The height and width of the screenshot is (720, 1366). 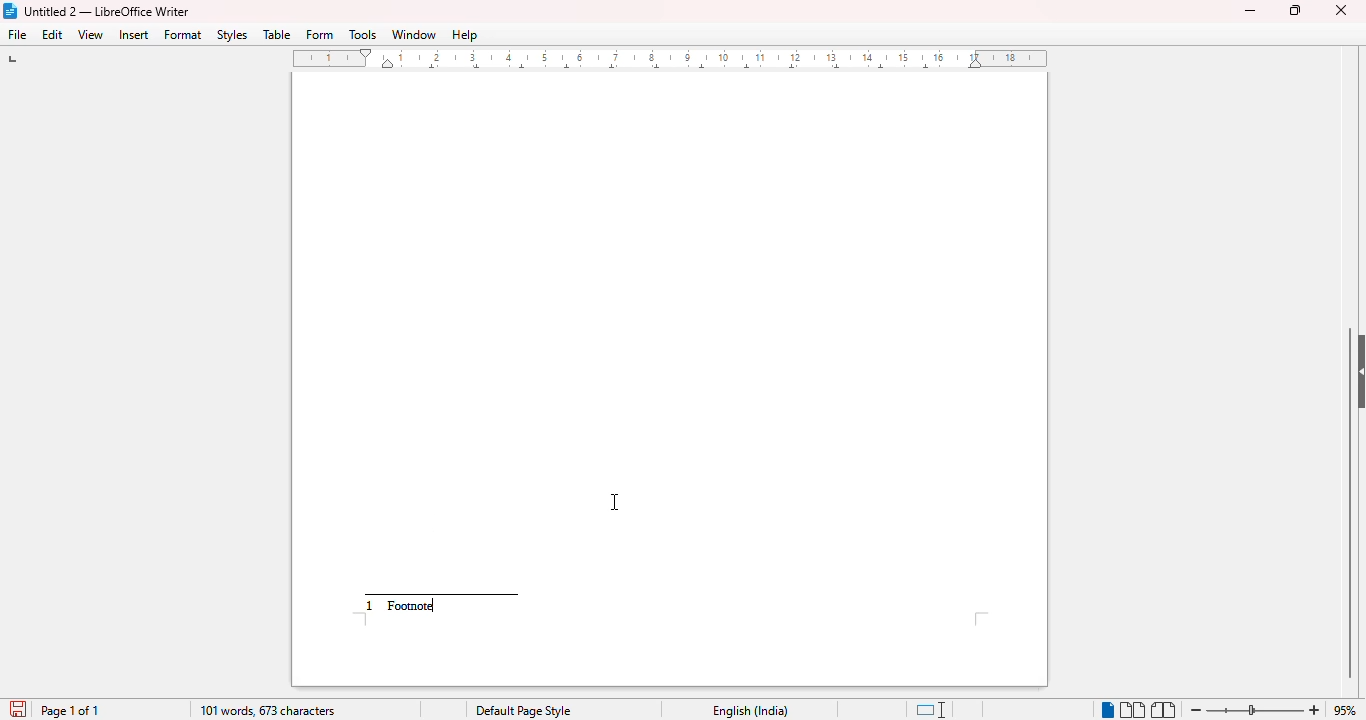 What do you see at coordinates (1357, 371) in the screenshot?
I see `show` at bounding box center [1357, 371].